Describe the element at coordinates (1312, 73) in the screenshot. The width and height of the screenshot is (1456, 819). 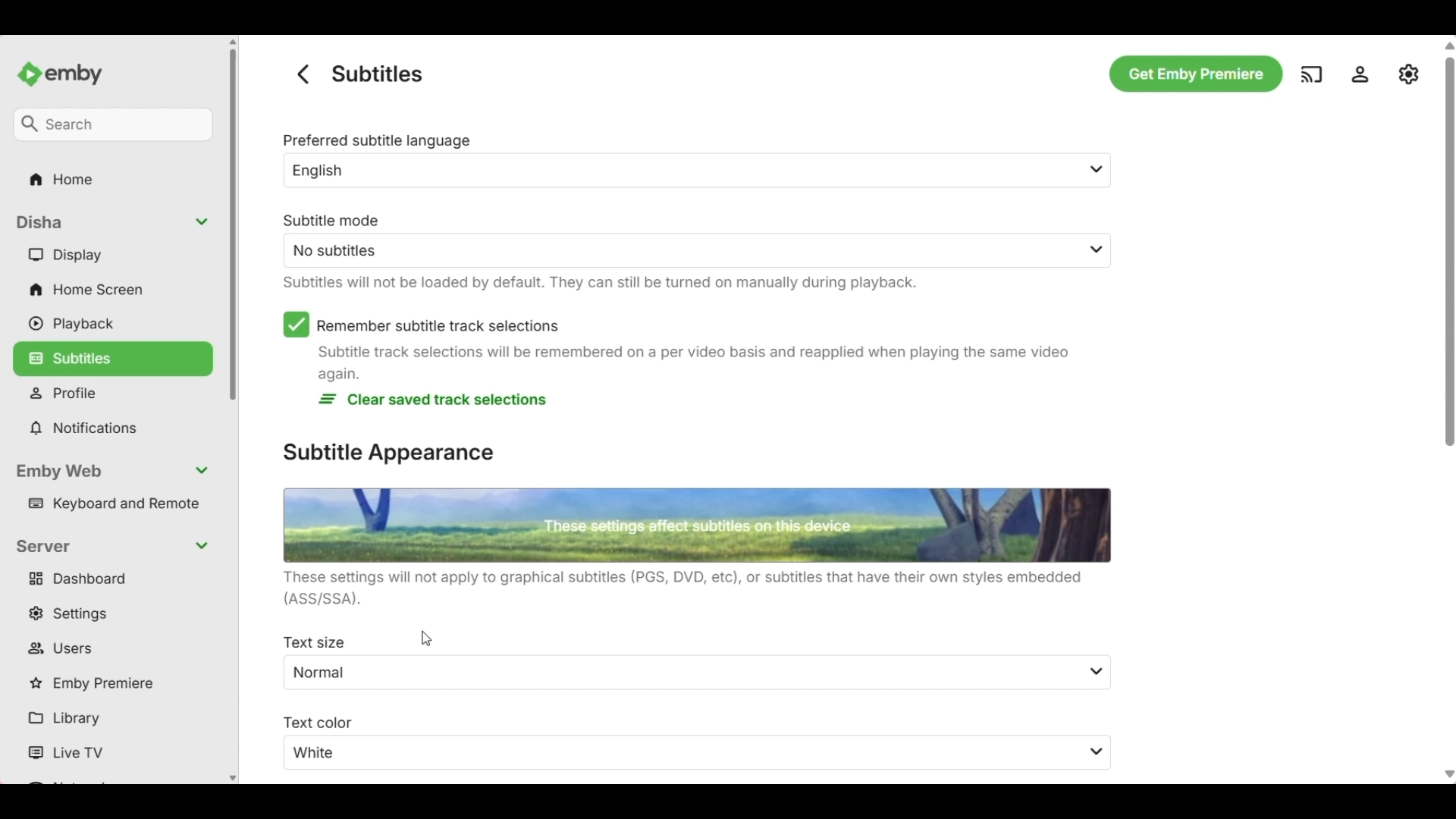
I see `` at that location.